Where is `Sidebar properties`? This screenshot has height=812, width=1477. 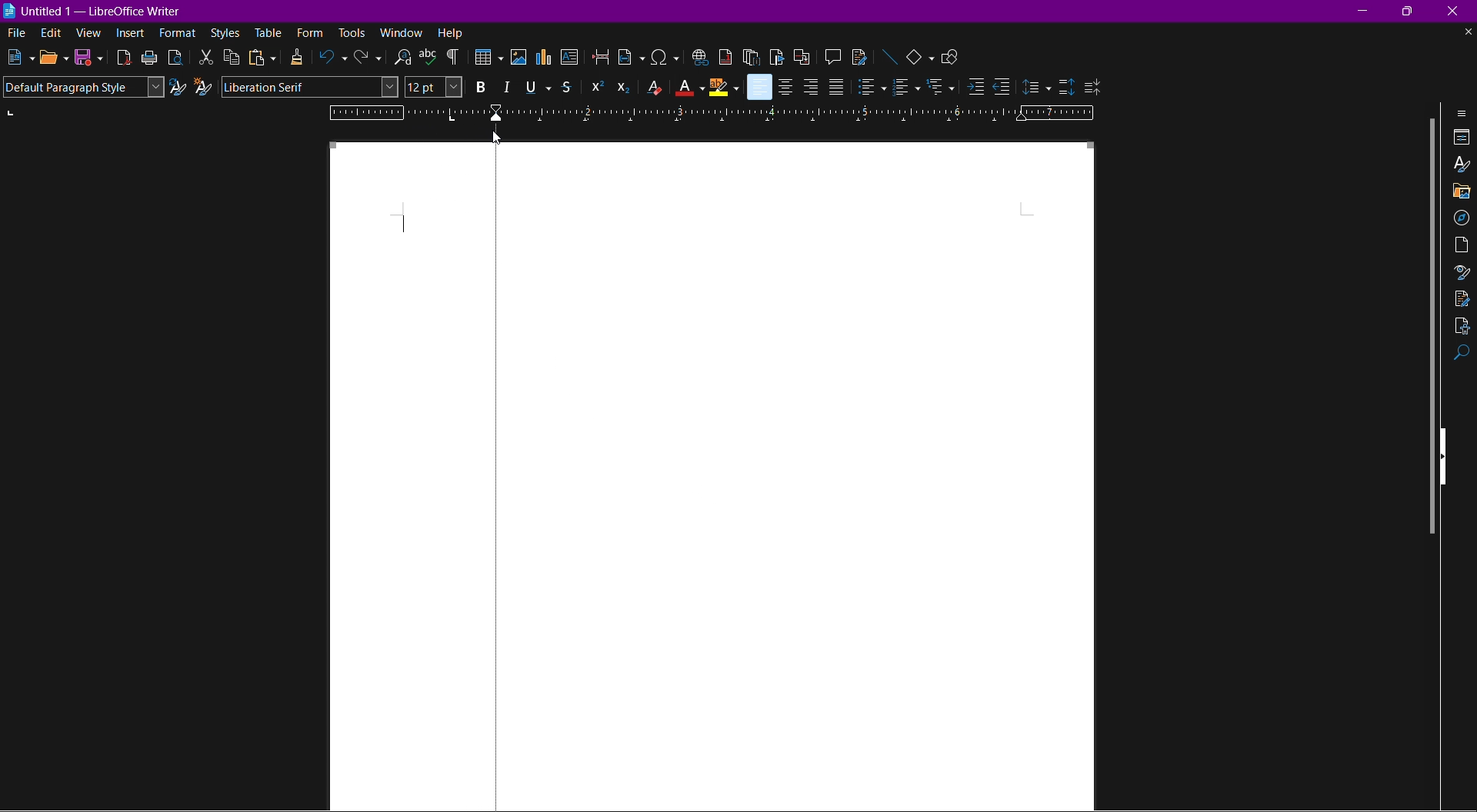
Sidebar properties is located at coordinates (1463, 112).